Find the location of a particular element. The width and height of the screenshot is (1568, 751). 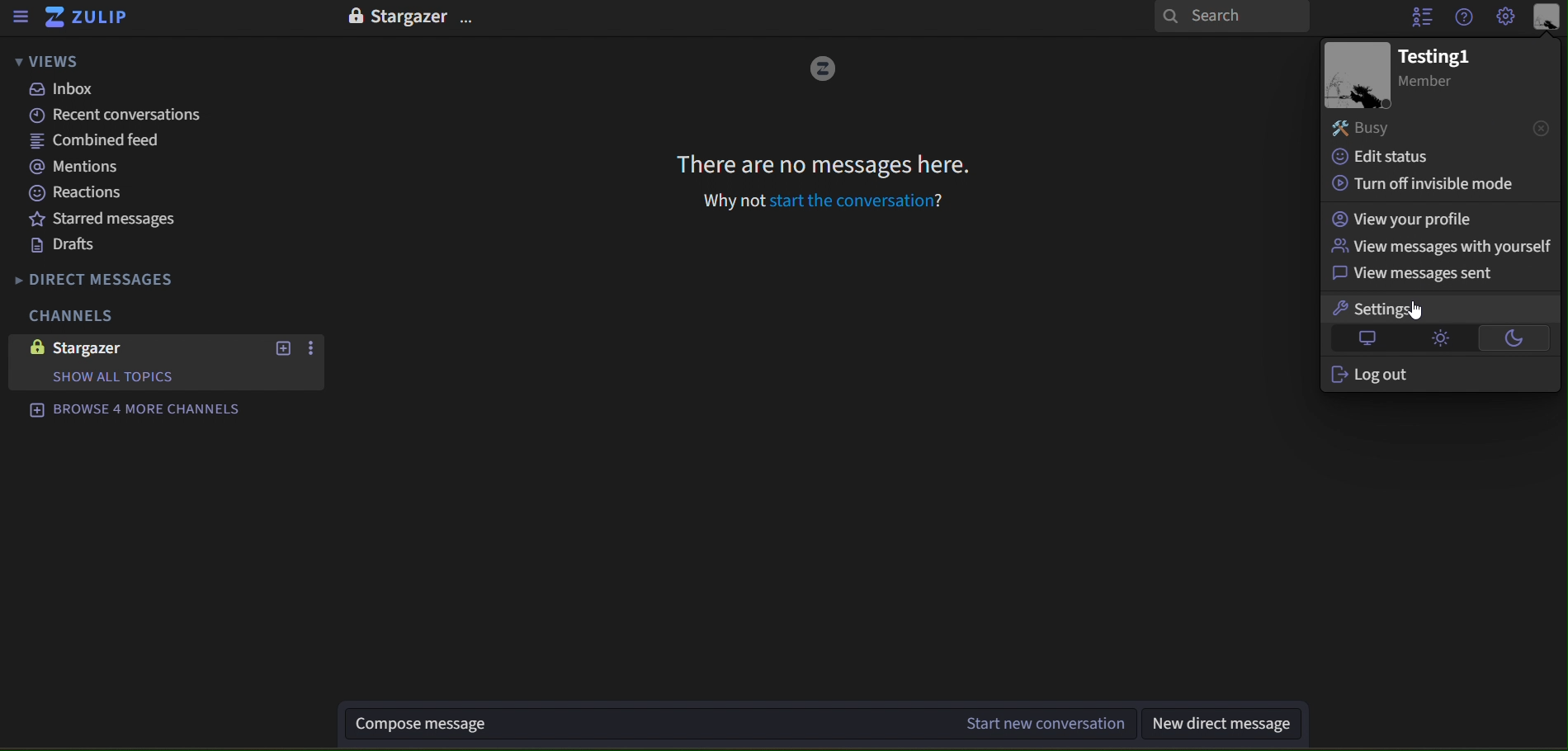

personal topic is located at coordinates (1548, 18).